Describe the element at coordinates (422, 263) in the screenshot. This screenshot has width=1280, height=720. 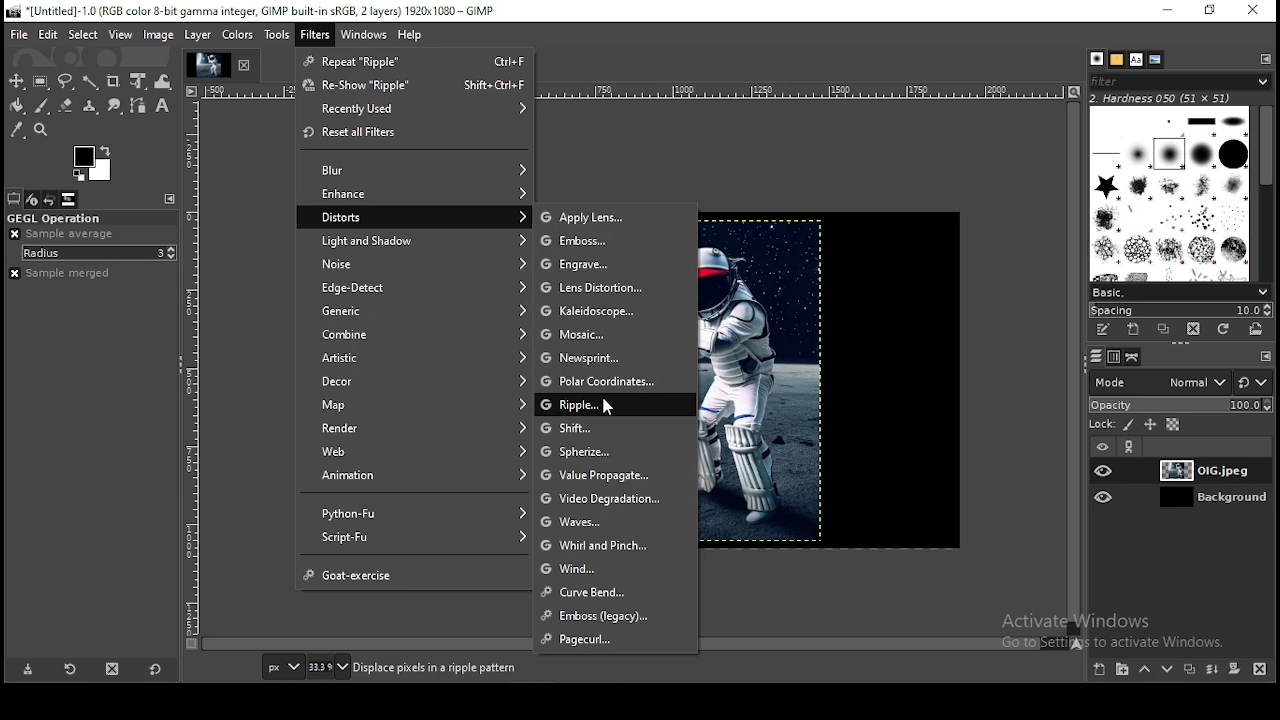
I see `noise` at that location.